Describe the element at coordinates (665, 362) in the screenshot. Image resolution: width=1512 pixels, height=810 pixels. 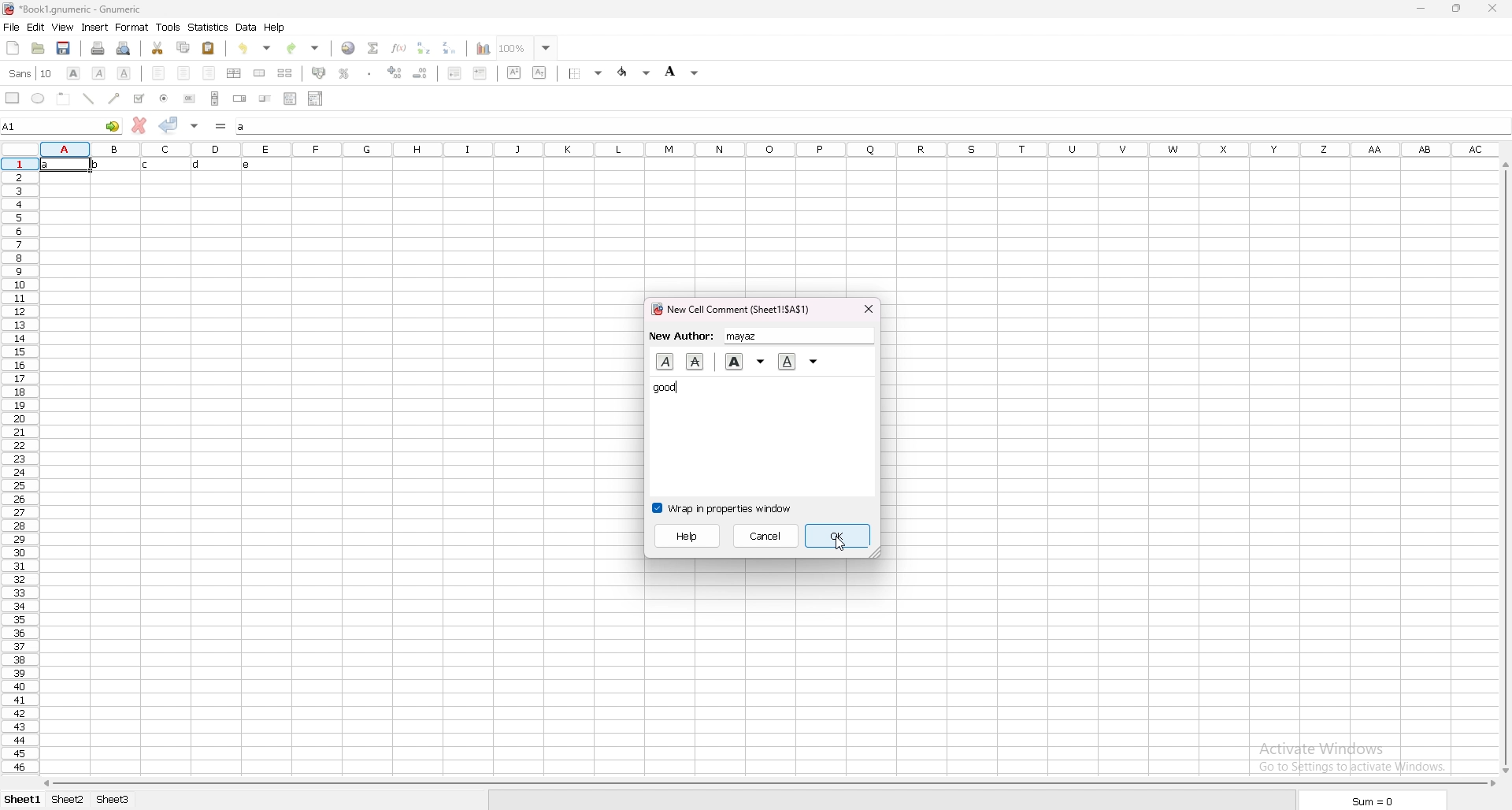
I see `italic` at that location.